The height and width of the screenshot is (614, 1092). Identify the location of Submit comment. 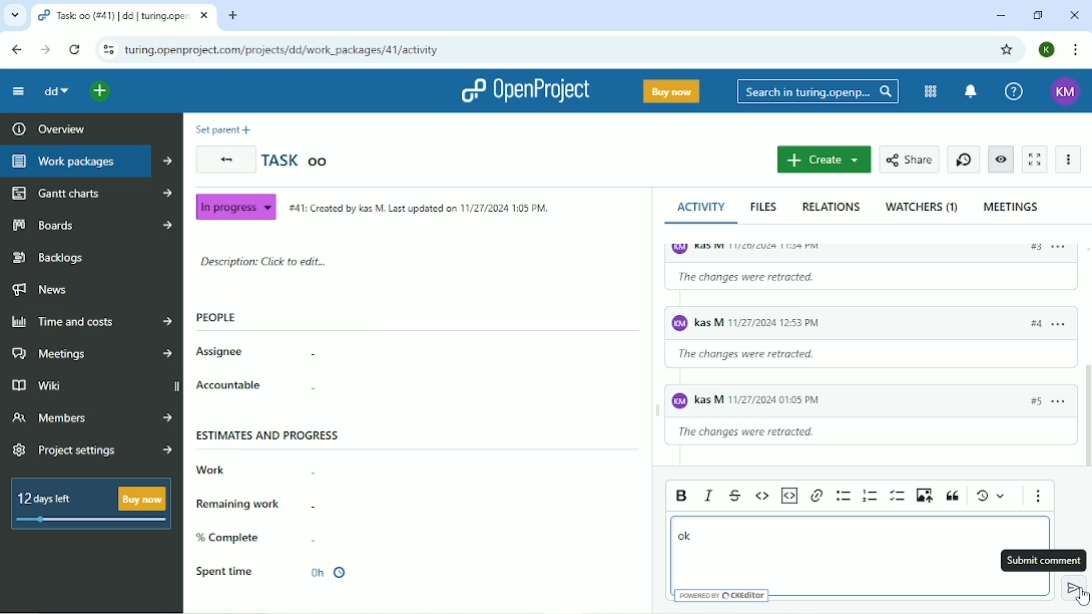
(1042, 560).